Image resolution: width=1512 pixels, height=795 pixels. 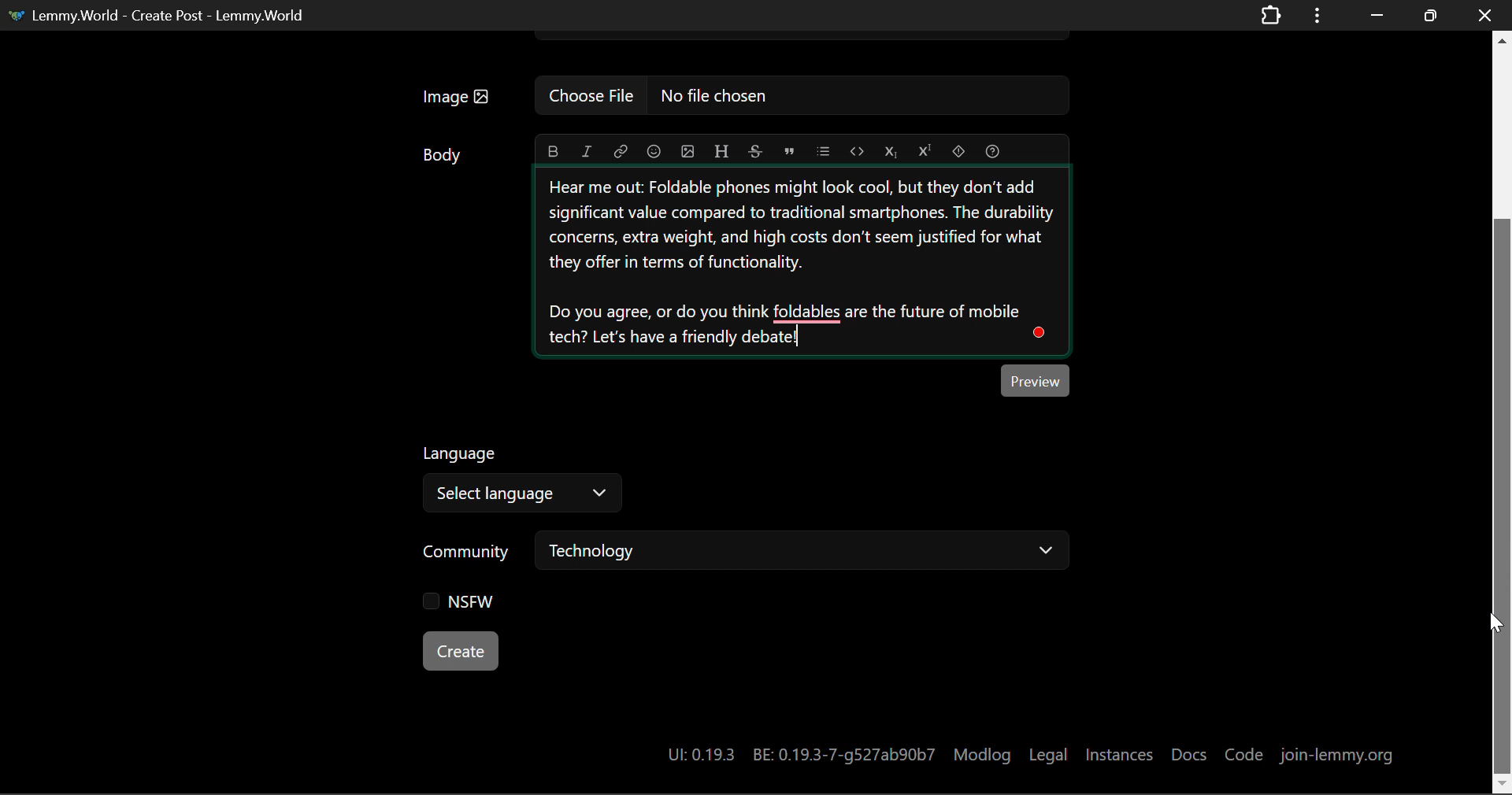 What do you see at coordinates (992, 150) in the screenshot?
I see `formatting help` at bounding box center [992, 150].